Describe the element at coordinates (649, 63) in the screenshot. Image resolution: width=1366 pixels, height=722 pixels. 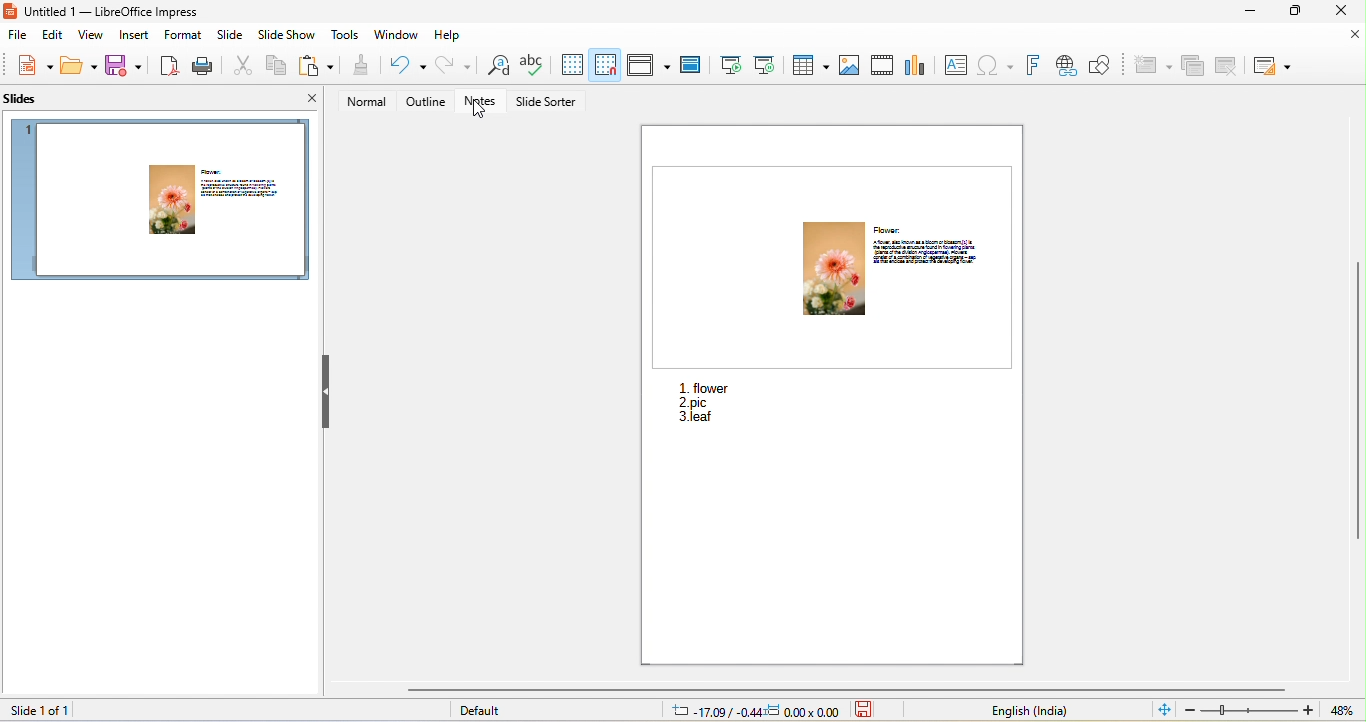
I see `display view` at that location.